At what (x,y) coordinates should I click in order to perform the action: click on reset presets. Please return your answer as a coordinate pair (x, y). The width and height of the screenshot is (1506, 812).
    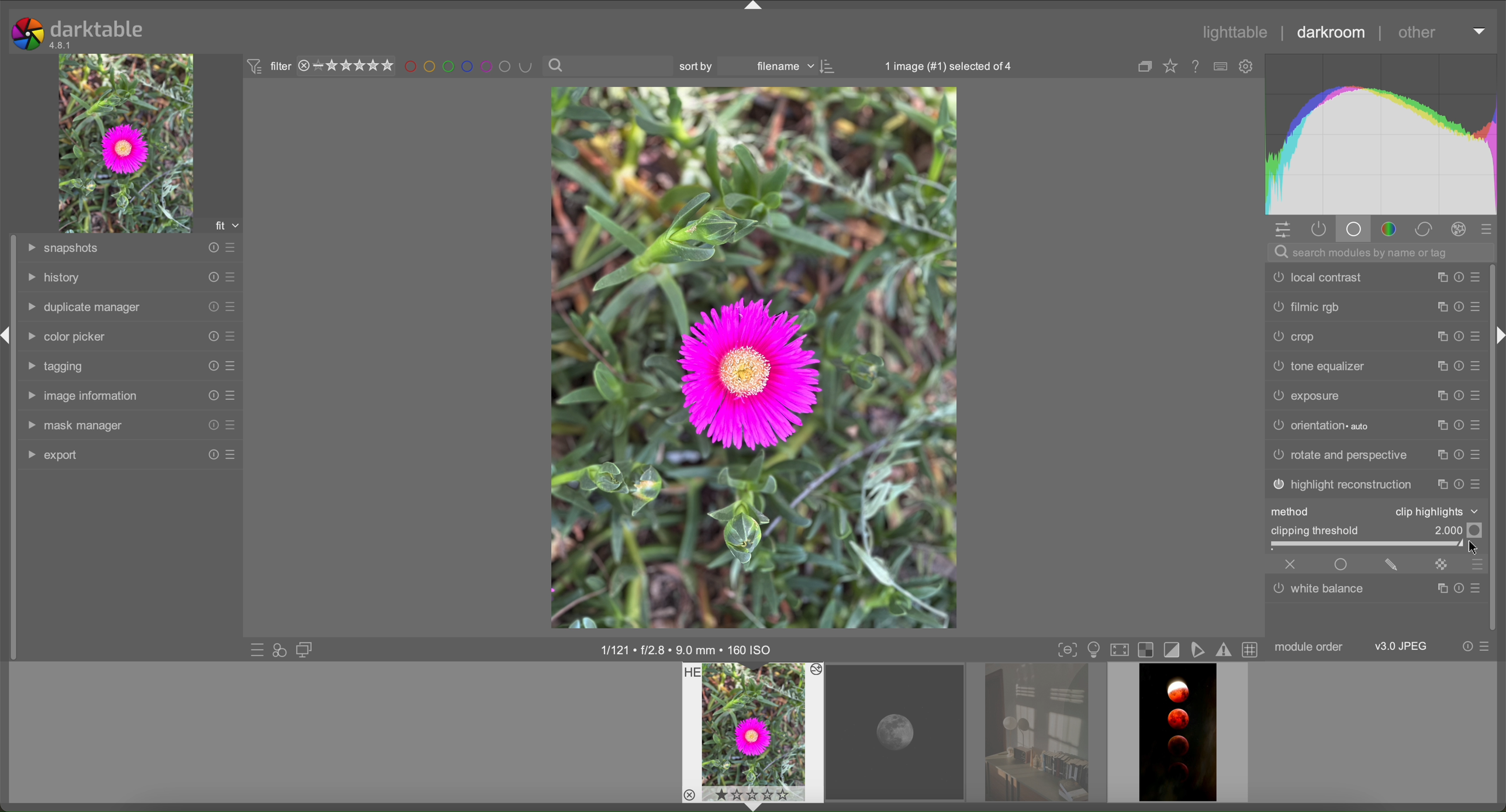
    Looking at the image, I should click on (1456, 588).